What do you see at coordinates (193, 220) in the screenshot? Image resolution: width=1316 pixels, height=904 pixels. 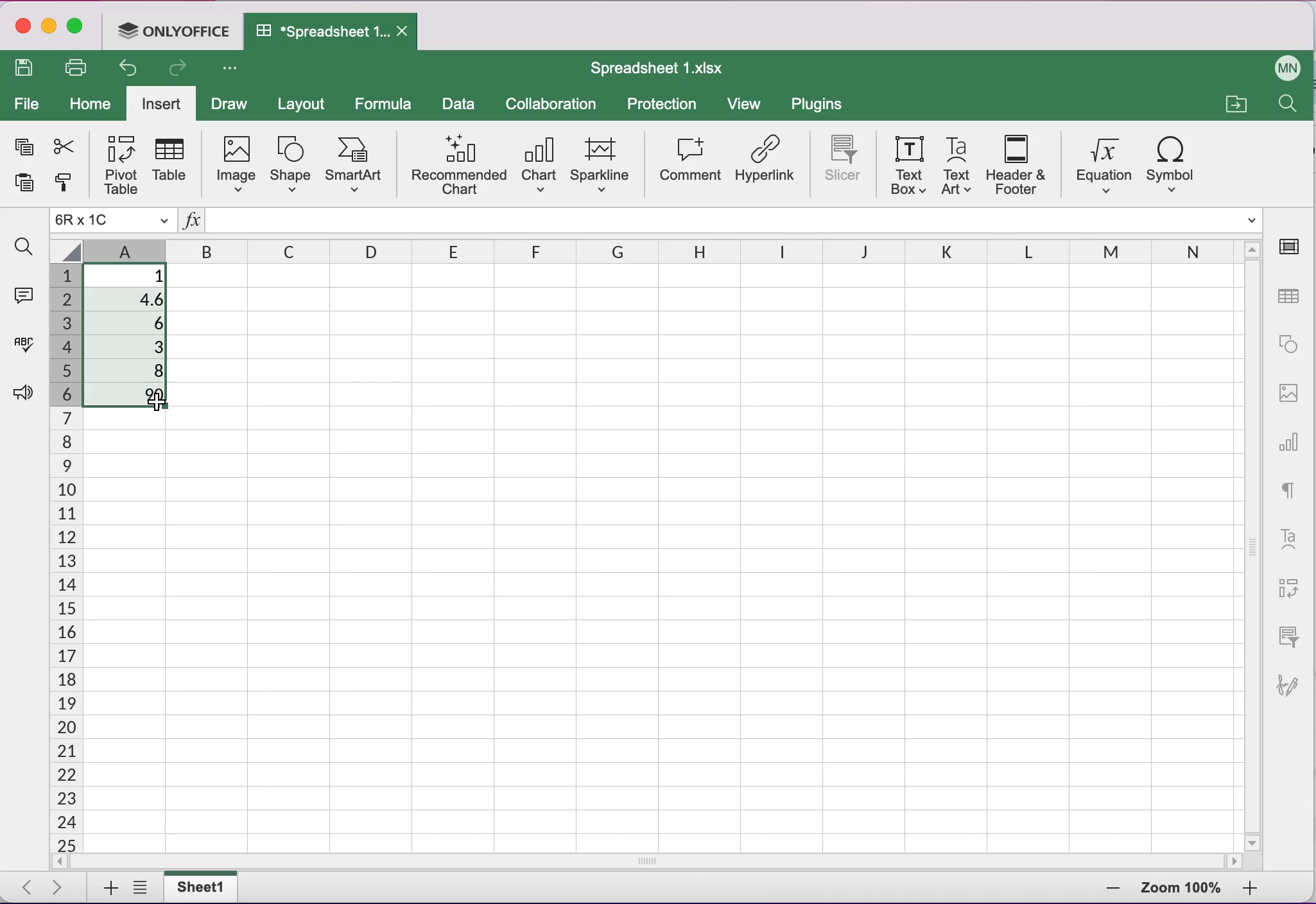 I see `Insert function` at bounding box center [193, 220].